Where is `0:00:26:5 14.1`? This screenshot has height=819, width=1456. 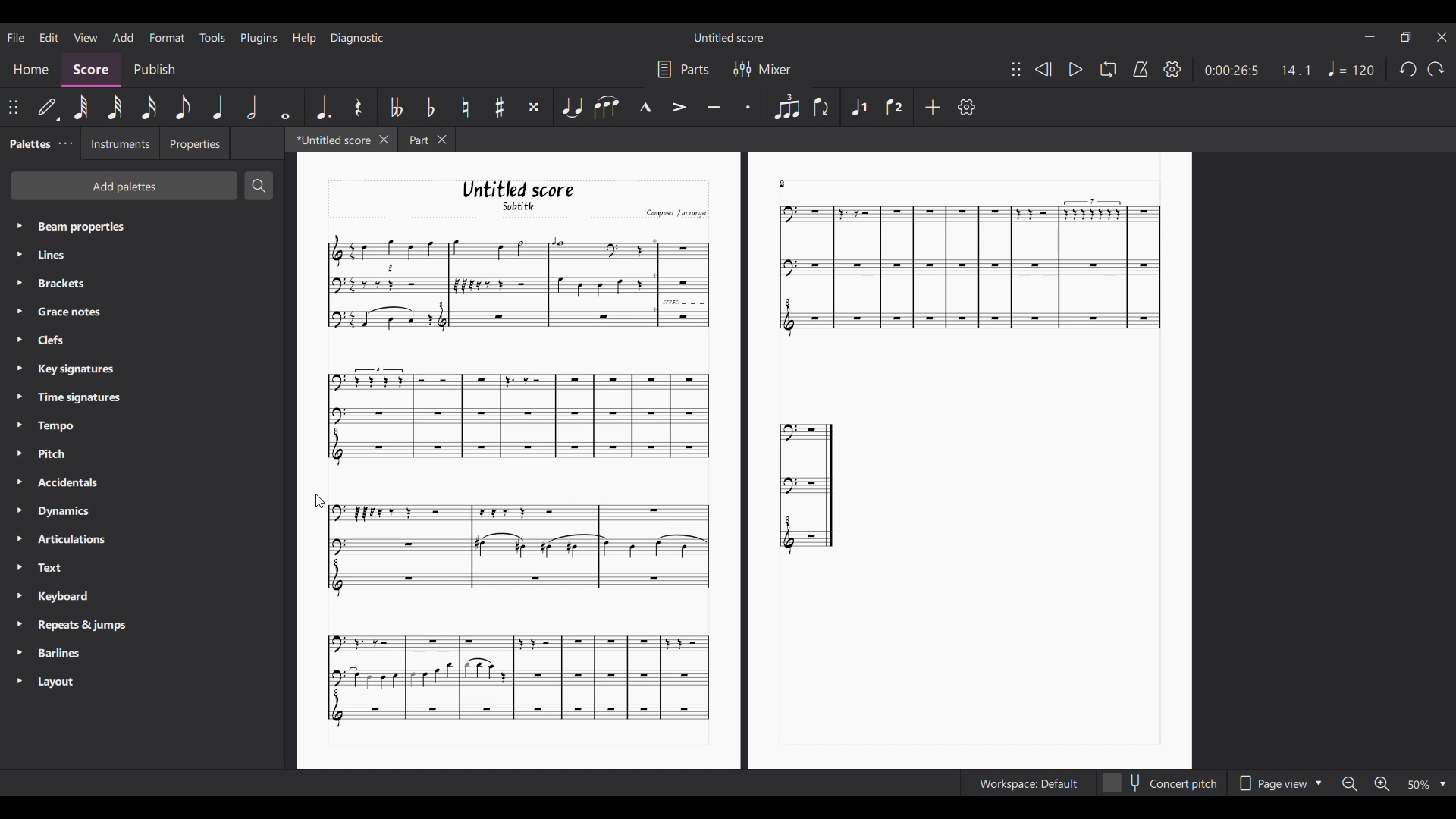 0:00:26:5 14.1 is located at coordinates (1263, 69).